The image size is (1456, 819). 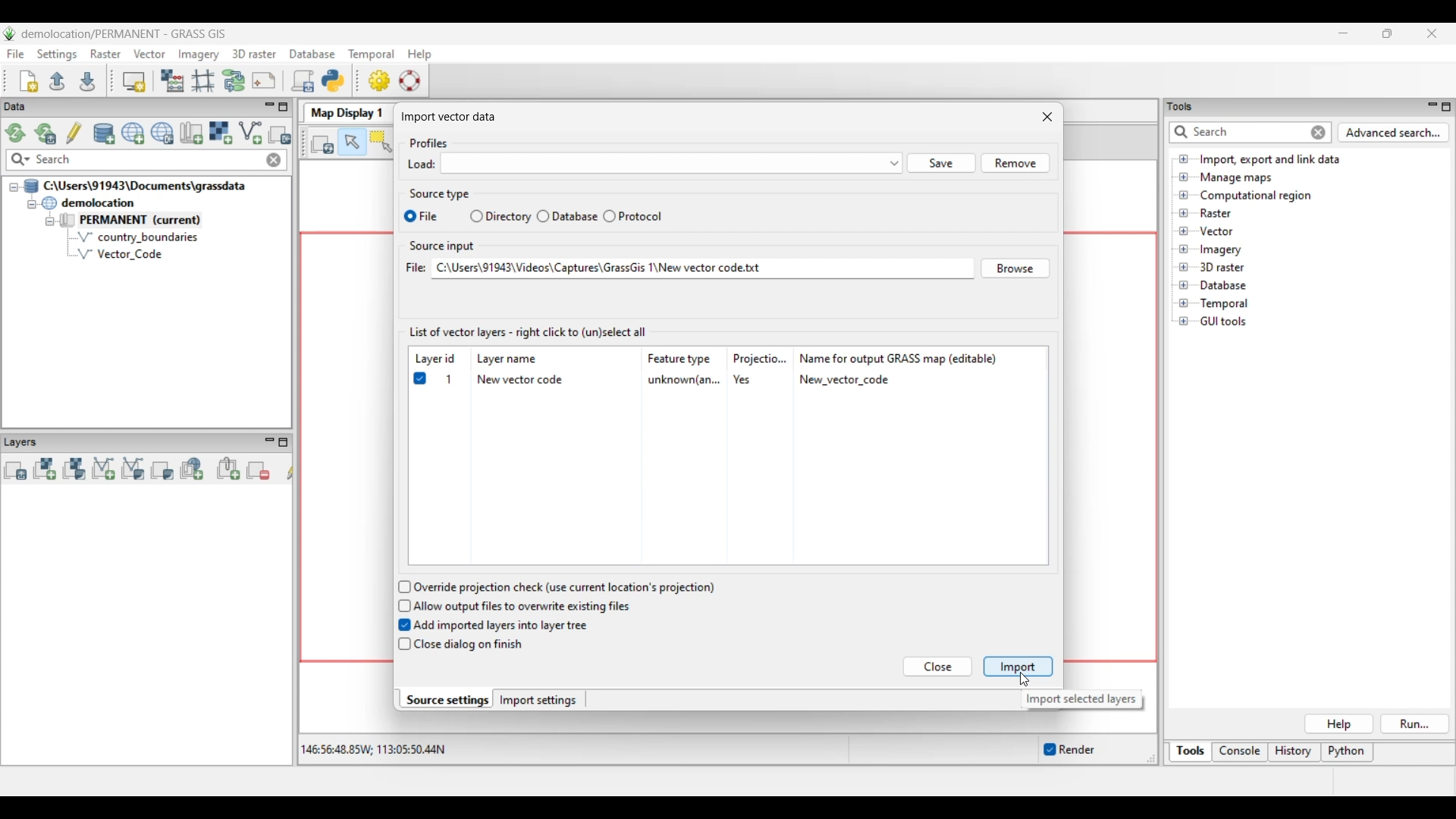 What do you see at coordinates (1184, 177) in the screenshot?
I see `Click to open Manage maps` at bounding box center [1184, 177].